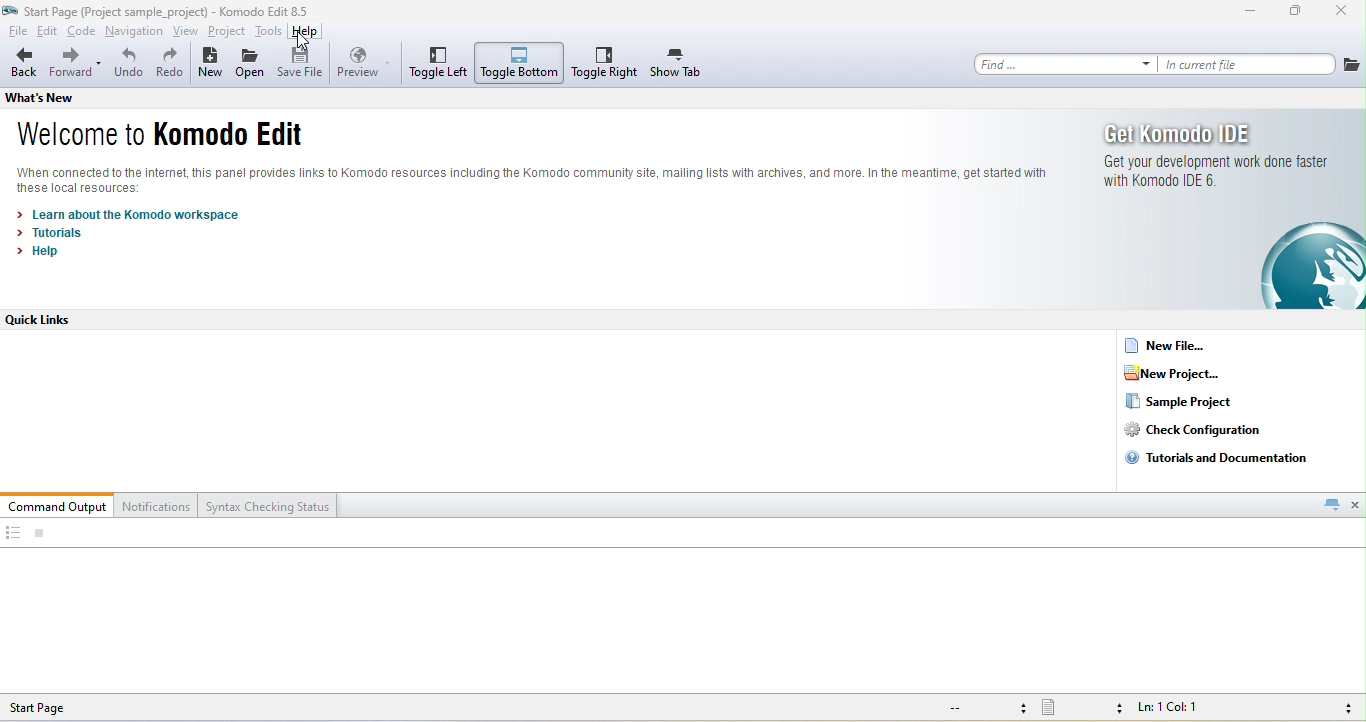 The height and width of the screenshot is (722, 1366). Describe the element at coordinates (210, 65) in the screenshot. I see `new` at that location.